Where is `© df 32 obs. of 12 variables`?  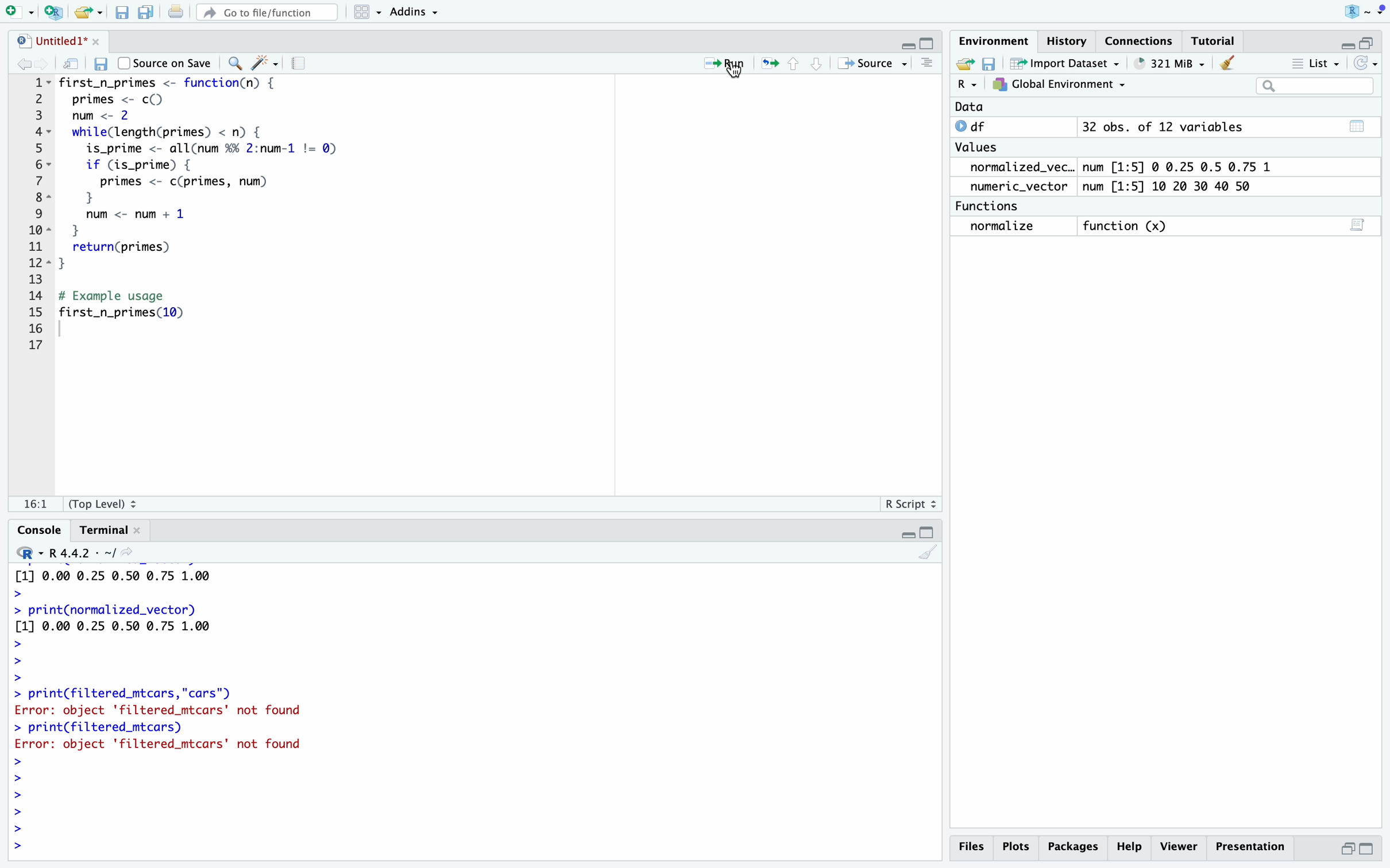 © df 32 obs. of 12 variables is located at coordinates (1155, 126).